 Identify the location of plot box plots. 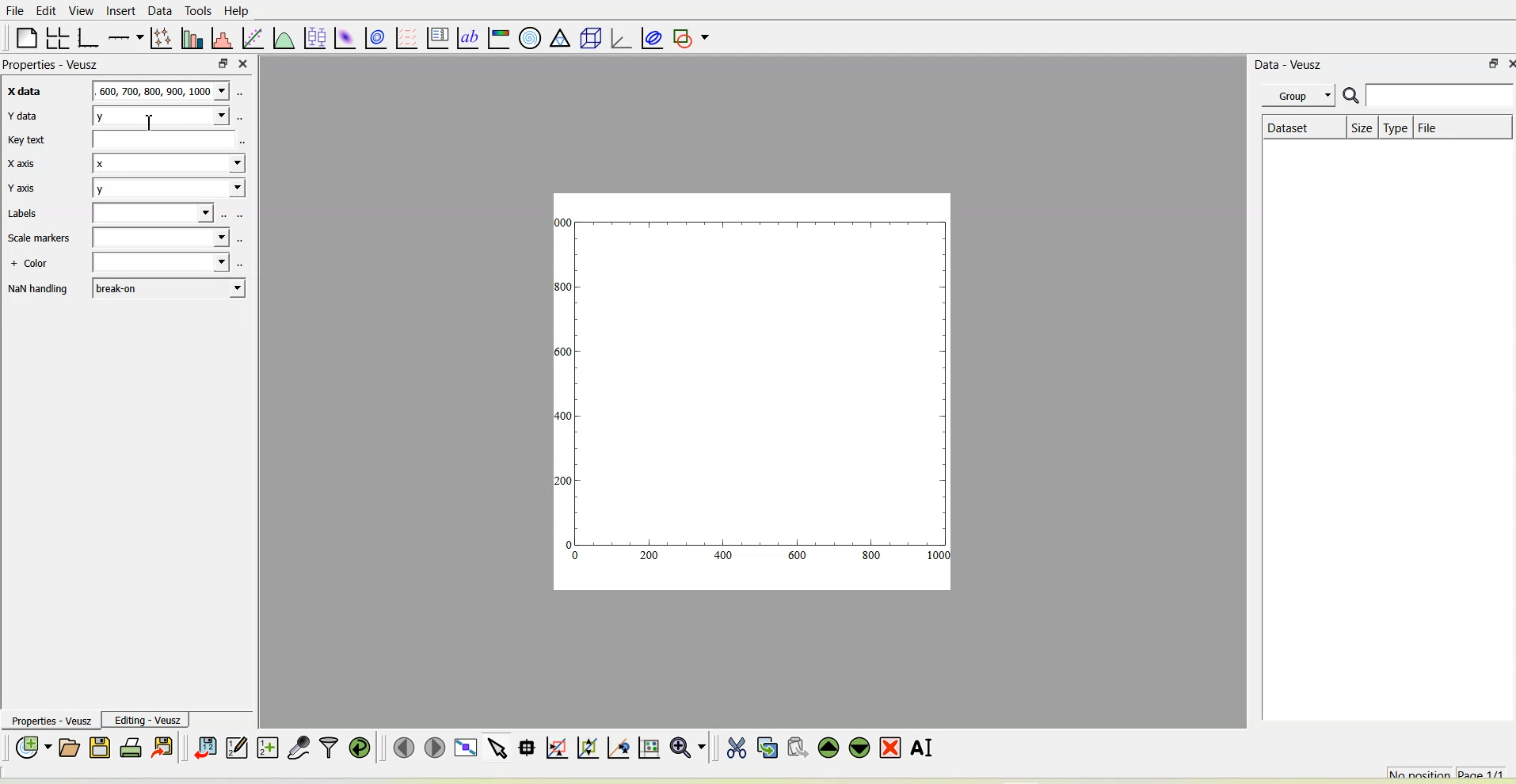
(314, 37).